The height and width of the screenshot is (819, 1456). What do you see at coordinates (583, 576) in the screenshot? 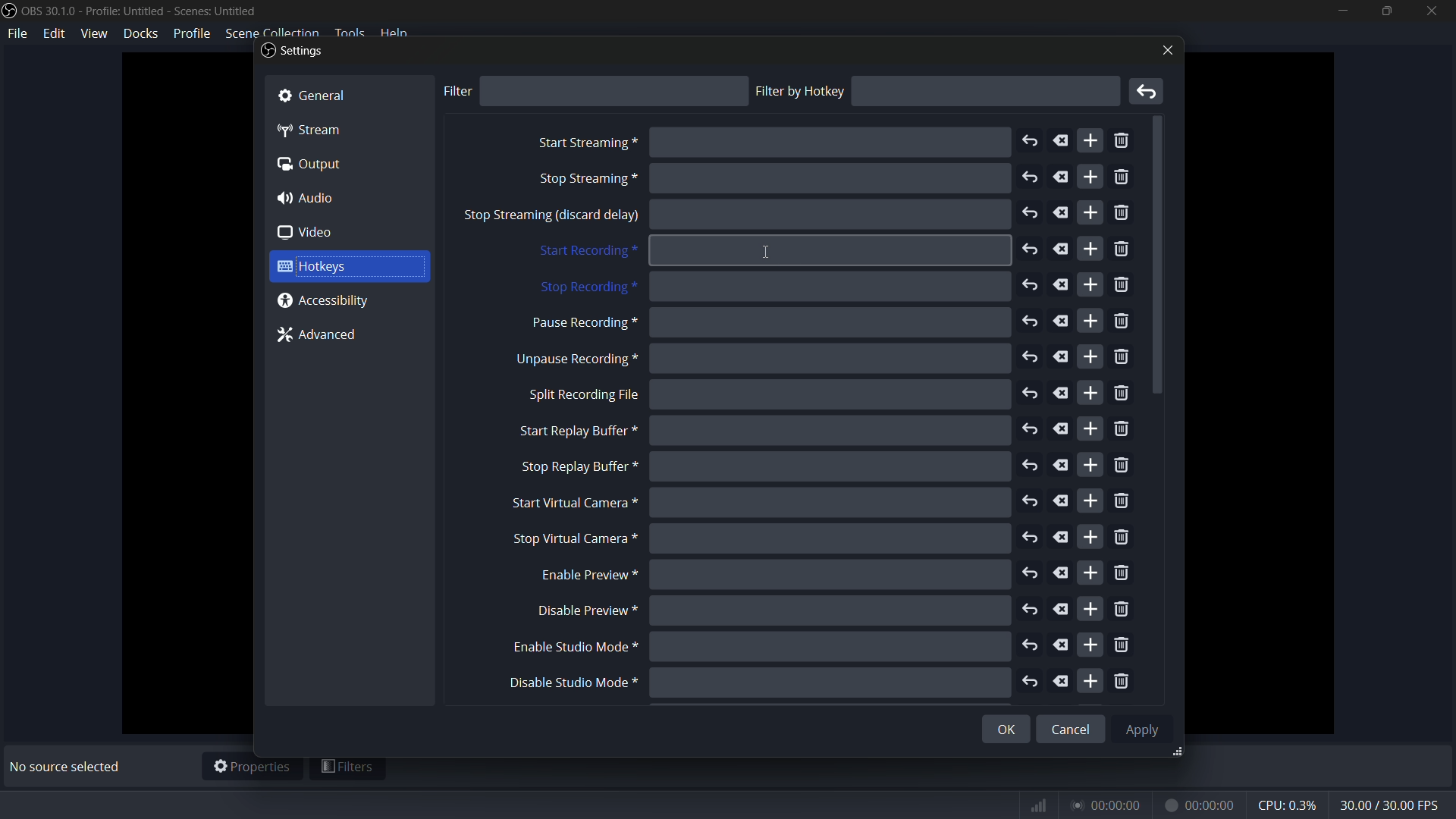
I see `enable preview` at bounding box center [583, 576].